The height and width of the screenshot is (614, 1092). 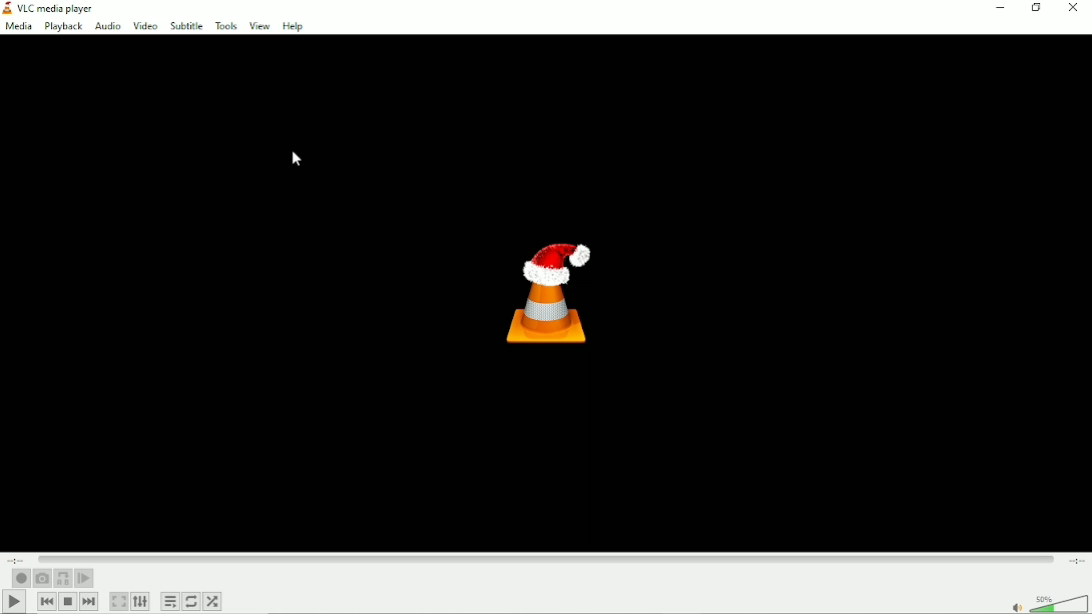 What do you see at coordinates (292, 27) in the screenshot?
I see `Help` at bounding box center [292, 27].